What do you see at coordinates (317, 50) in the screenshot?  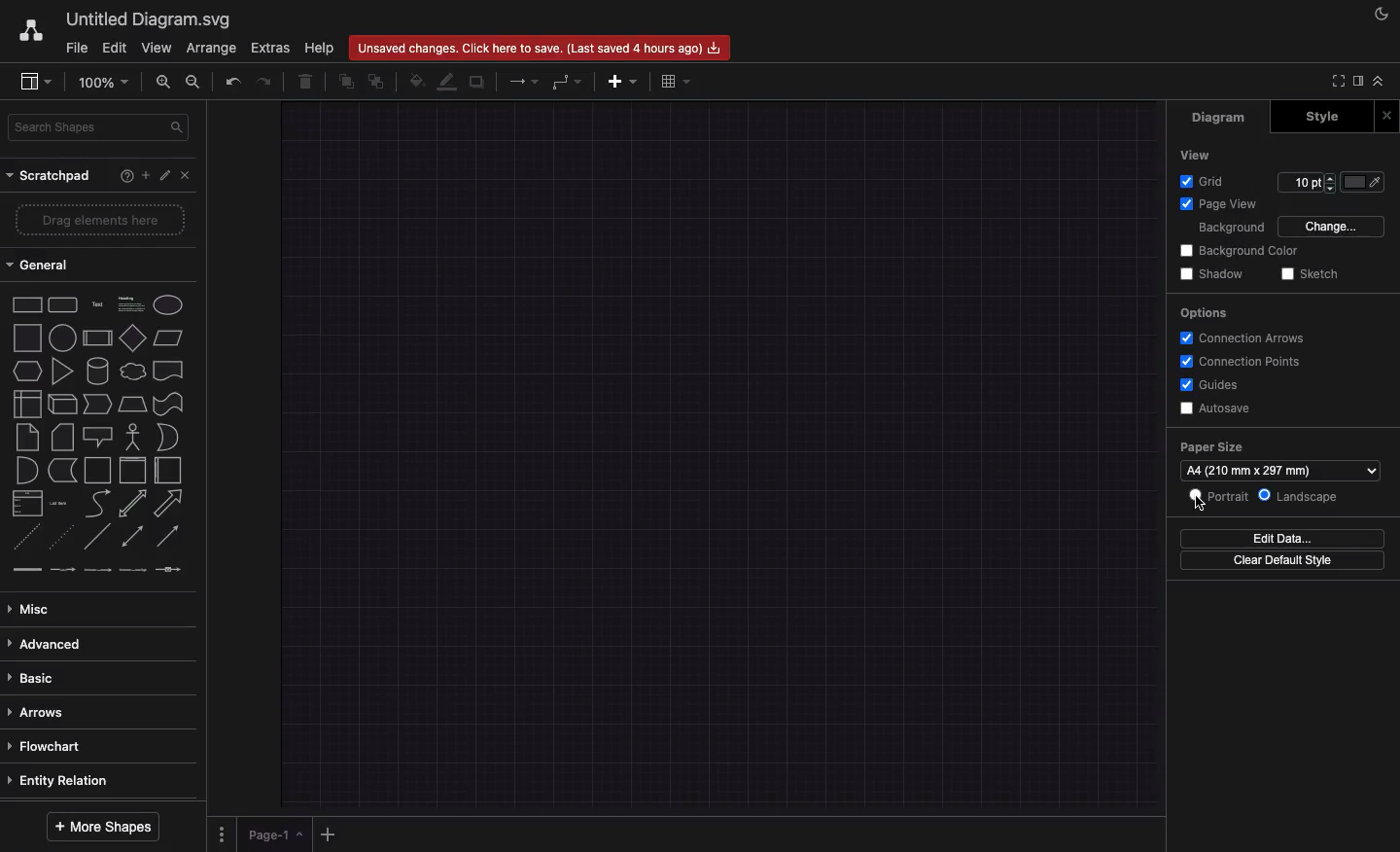 I see `Help` at bounding box center [317, 50].